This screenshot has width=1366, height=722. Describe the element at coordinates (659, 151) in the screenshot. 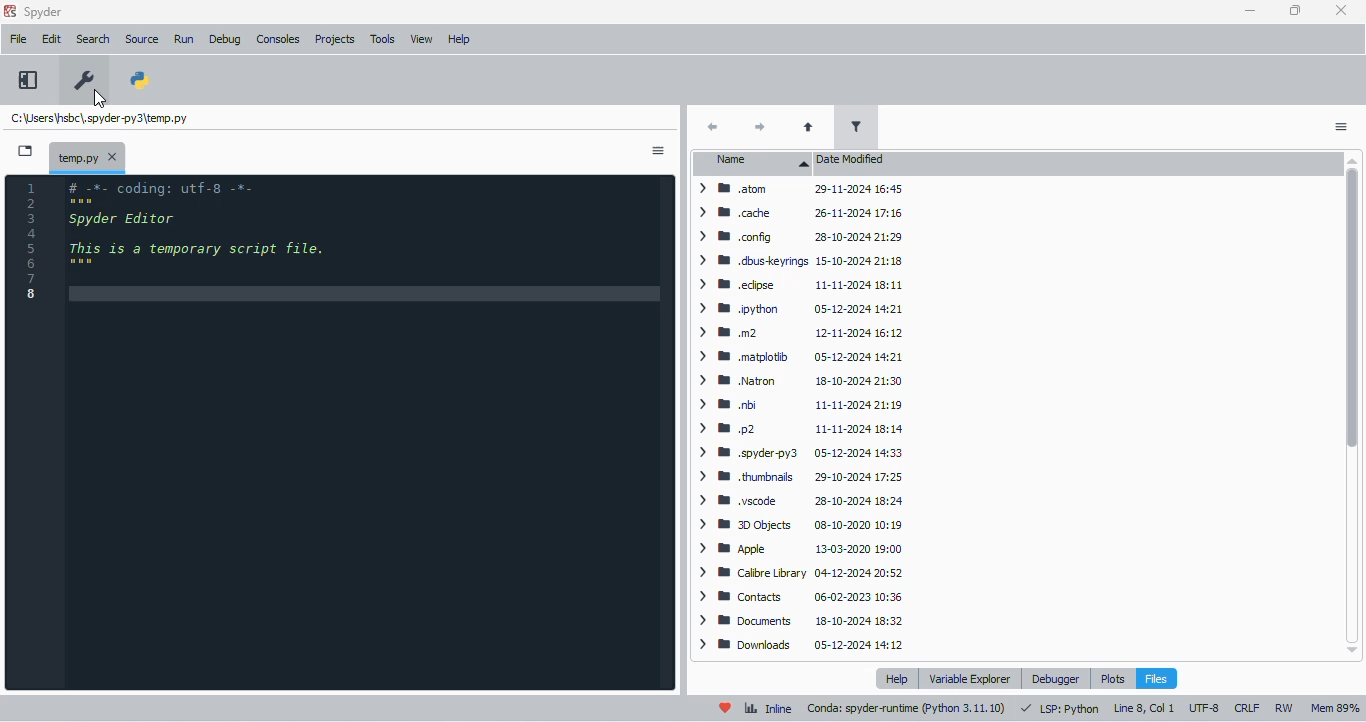

I see `options` at that location.